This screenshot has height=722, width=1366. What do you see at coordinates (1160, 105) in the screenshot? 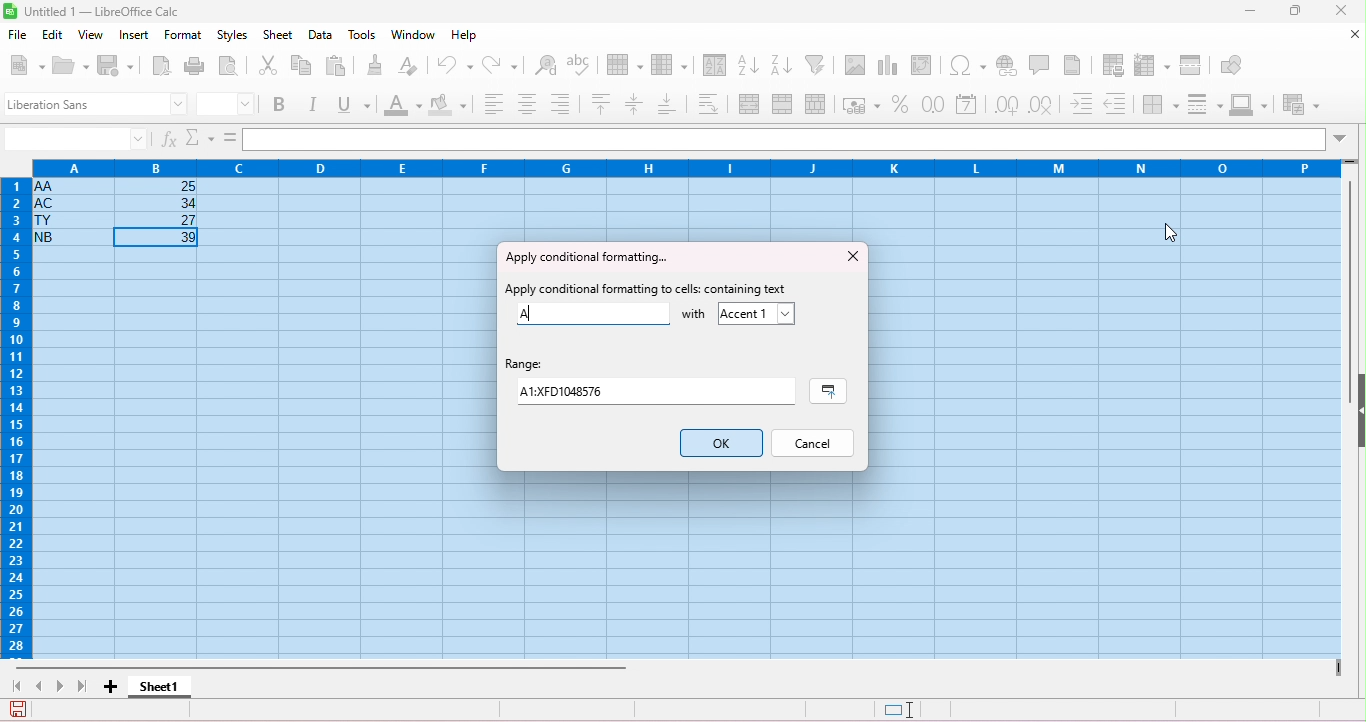
I see `border` at bounding box center [1160, 105].